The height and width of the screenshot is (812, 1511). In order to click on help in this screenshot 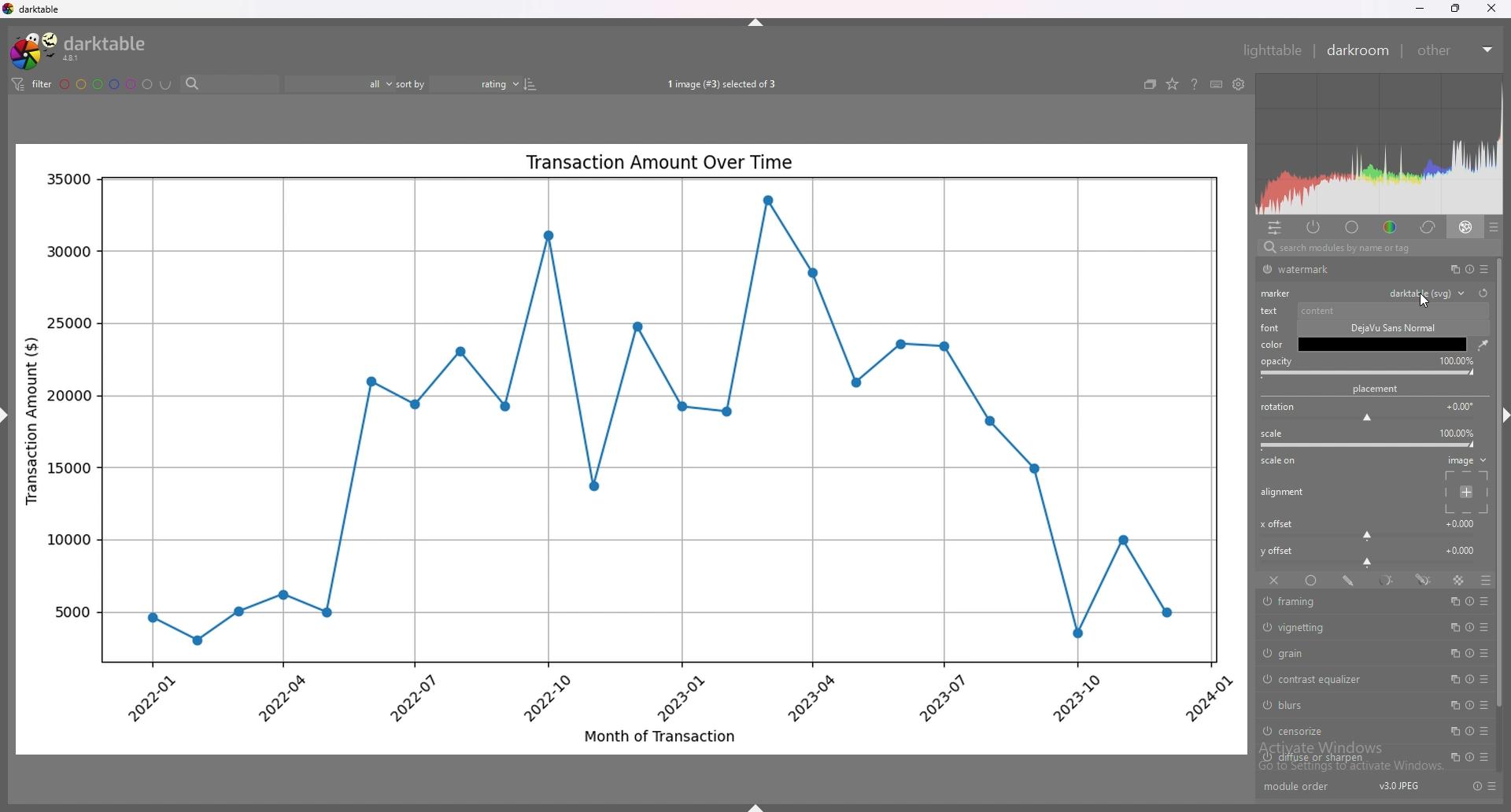, I will do `click(1195, 85)`.